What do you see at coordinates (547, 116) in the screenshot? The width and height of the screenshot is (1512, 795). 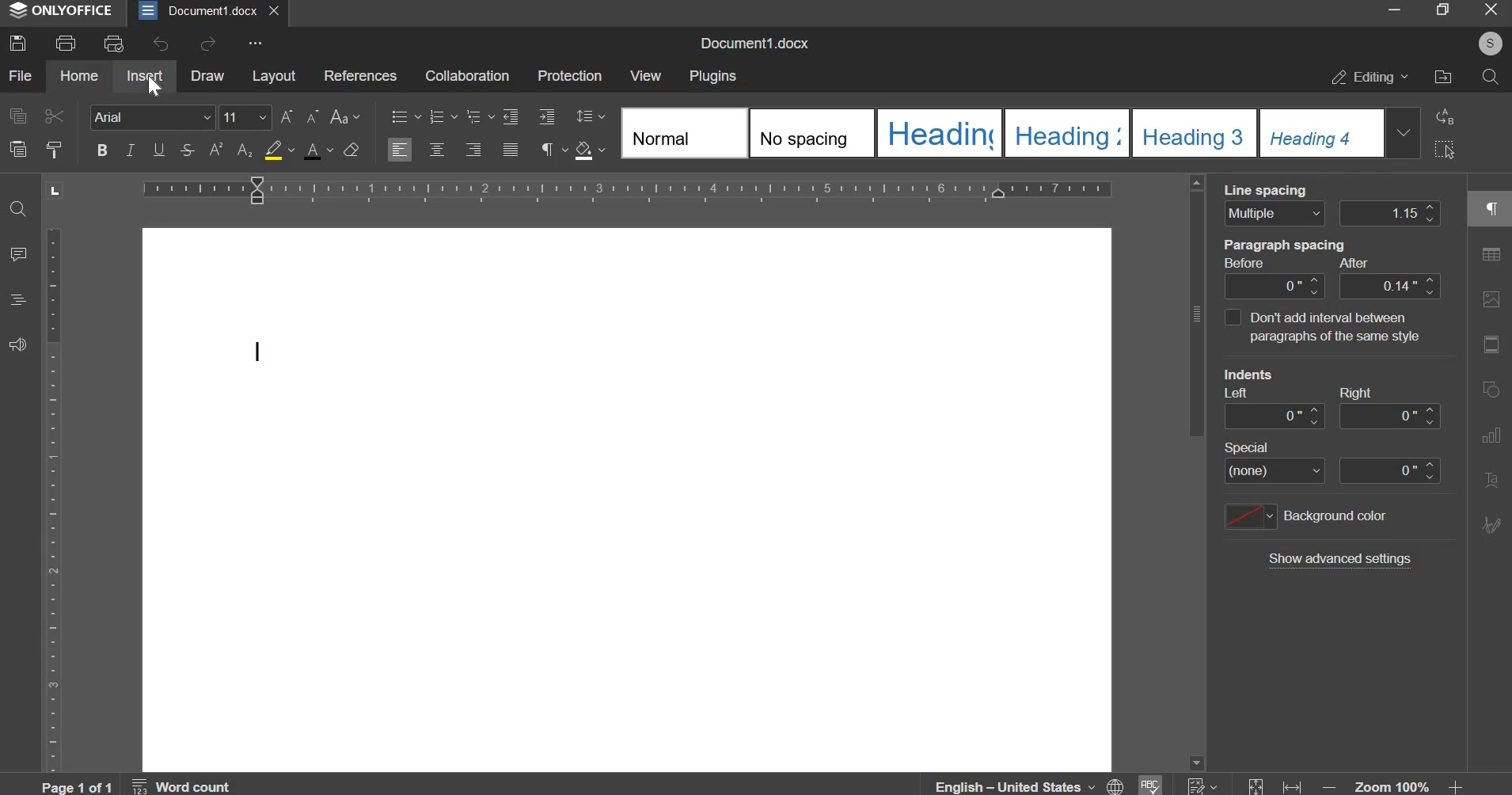 I see `increase indent` at bounding box center [547, 116].